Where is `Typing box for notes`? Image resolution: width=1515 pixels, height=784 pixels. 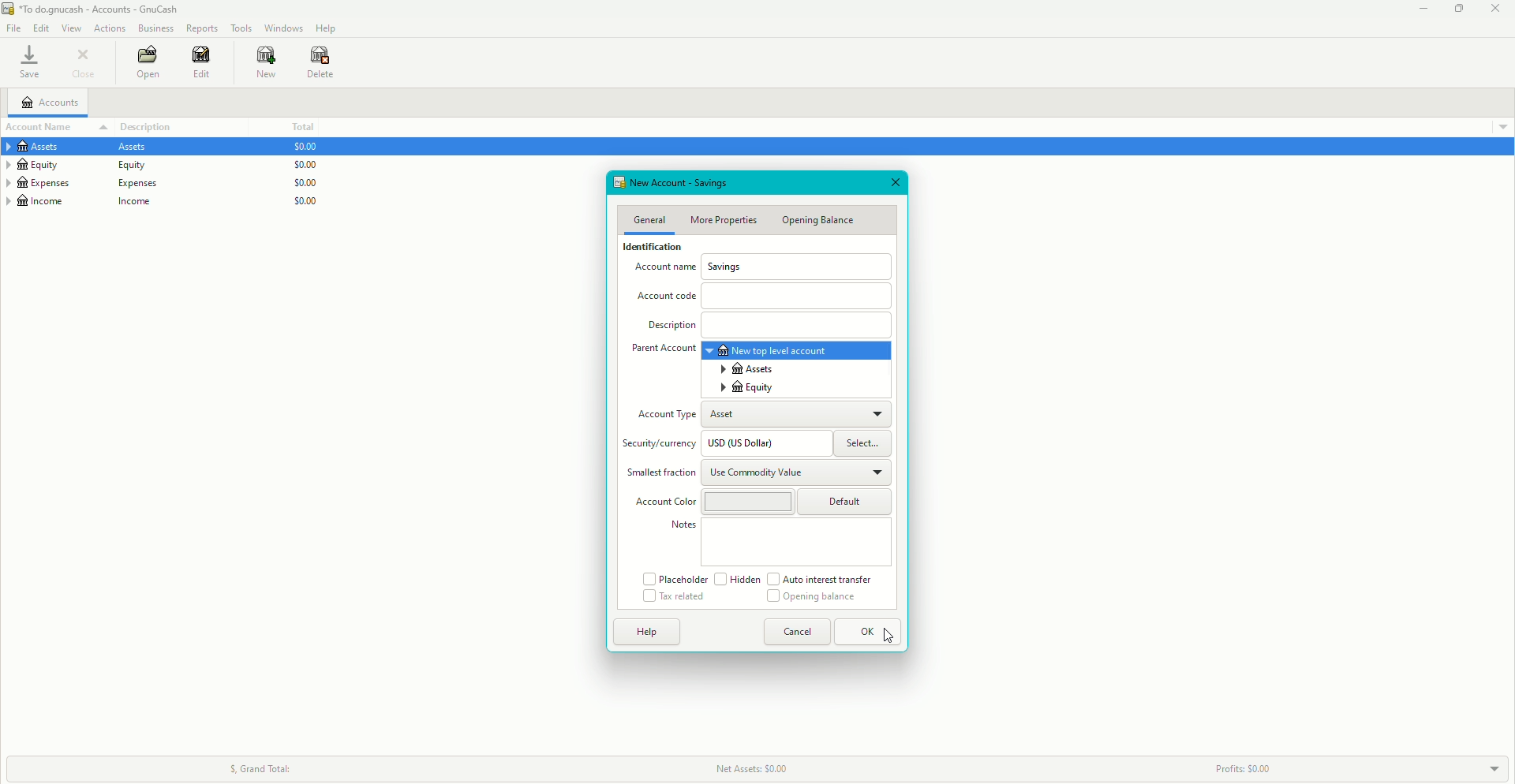 Typing box for notes is located at coordinates (797, 543).